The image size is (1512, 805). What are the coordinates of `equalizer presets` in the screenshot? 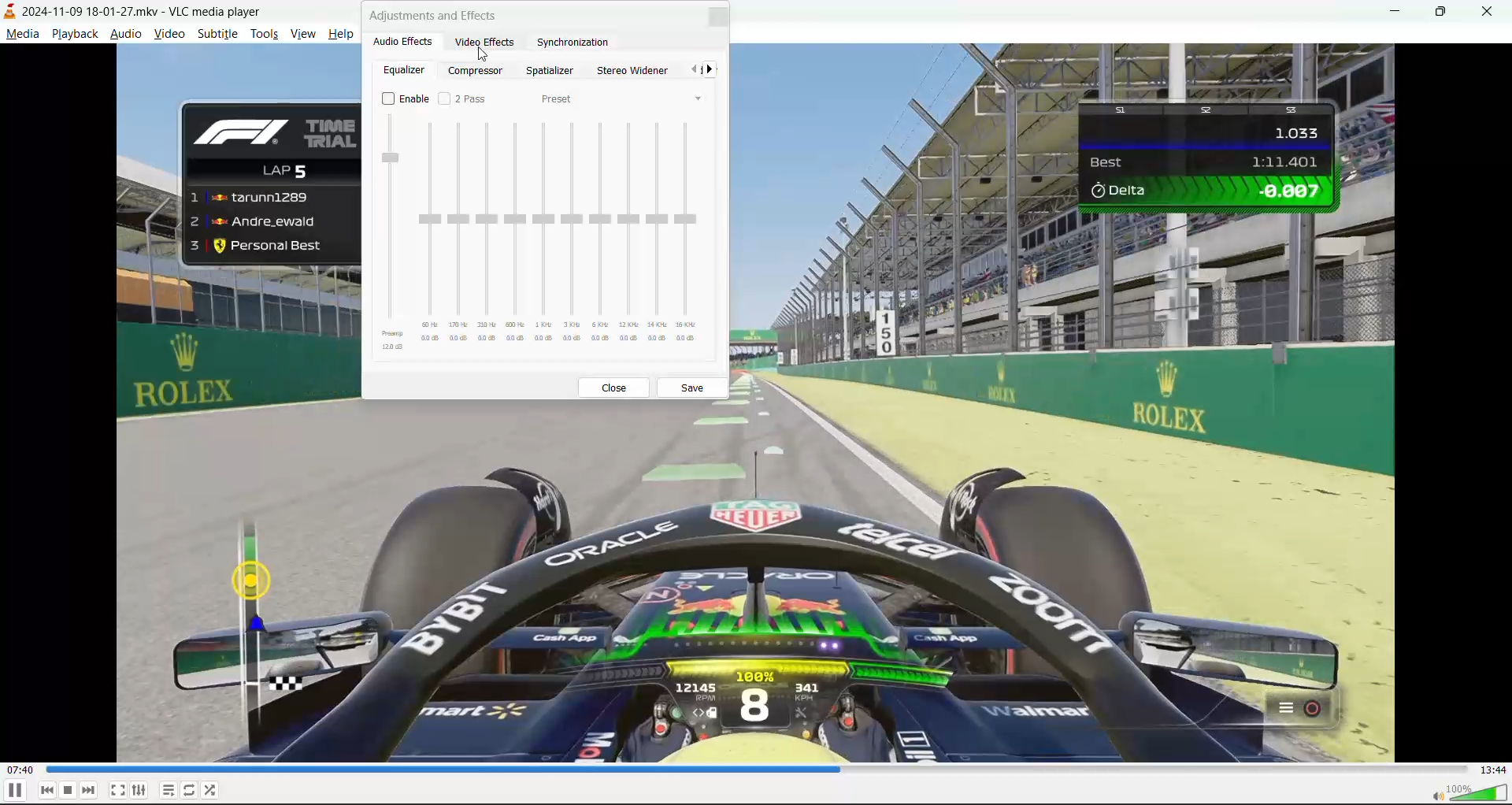 It's located at (544, 235).